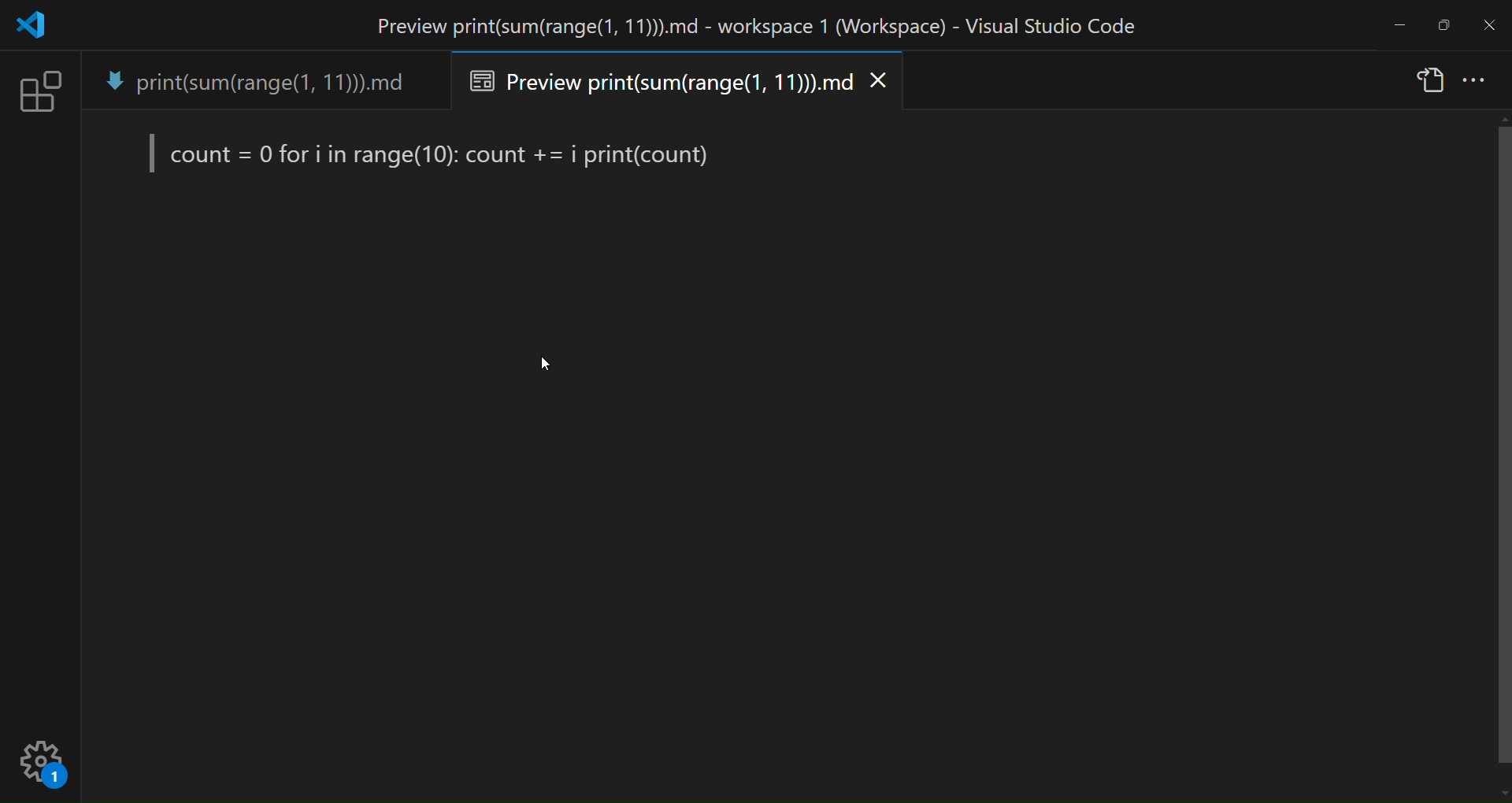 This screenshot has width=1512, height=803. What do you see at coordinates (43, 93) in the screenshot?
I see `extension` at bounding box center [43, 93].